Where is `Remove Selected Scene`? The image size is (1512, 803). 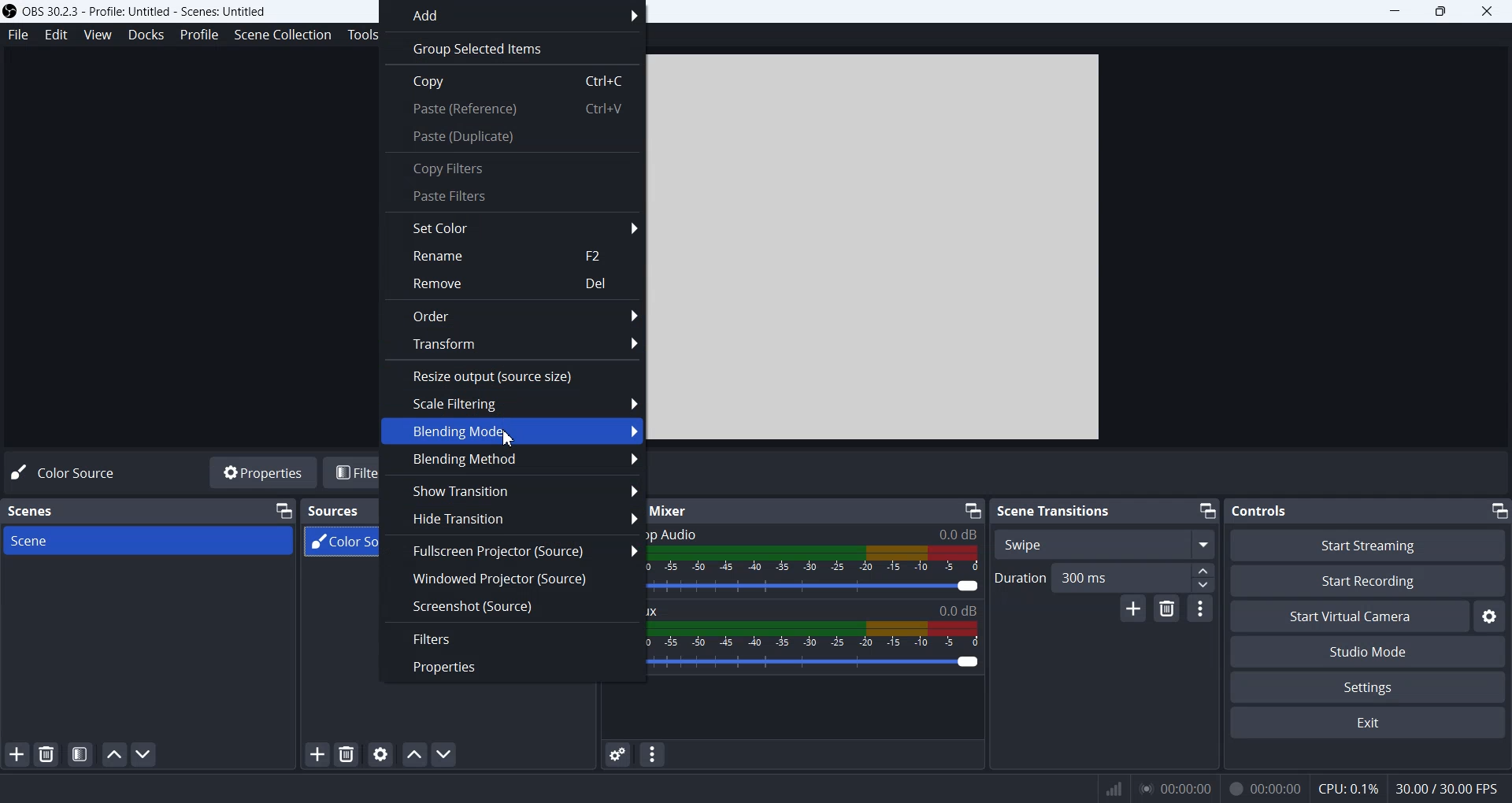 Remove Selected Scene is located at coordinates (48, 754).